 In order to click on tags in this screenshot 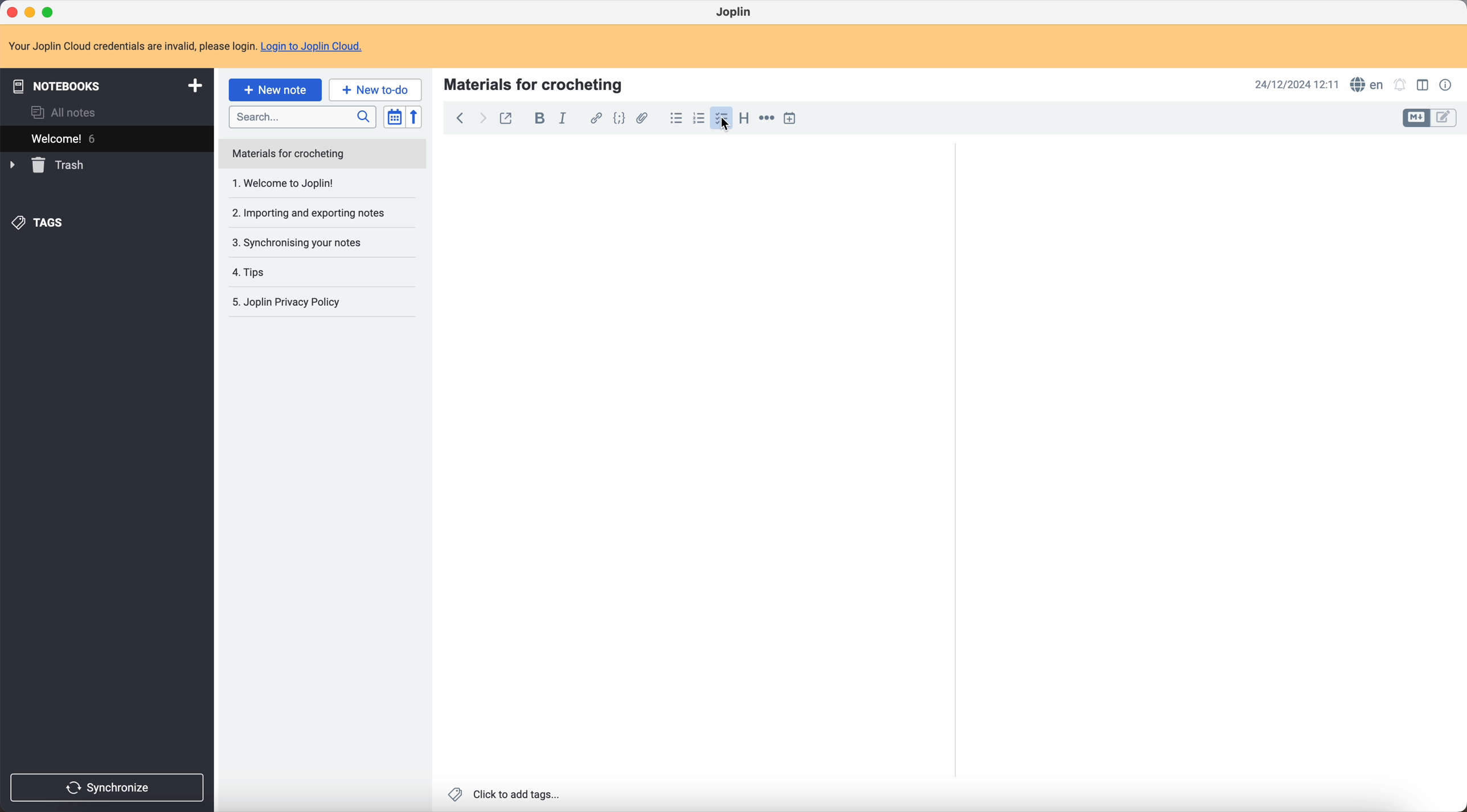, I will do `click(40, 224)`.